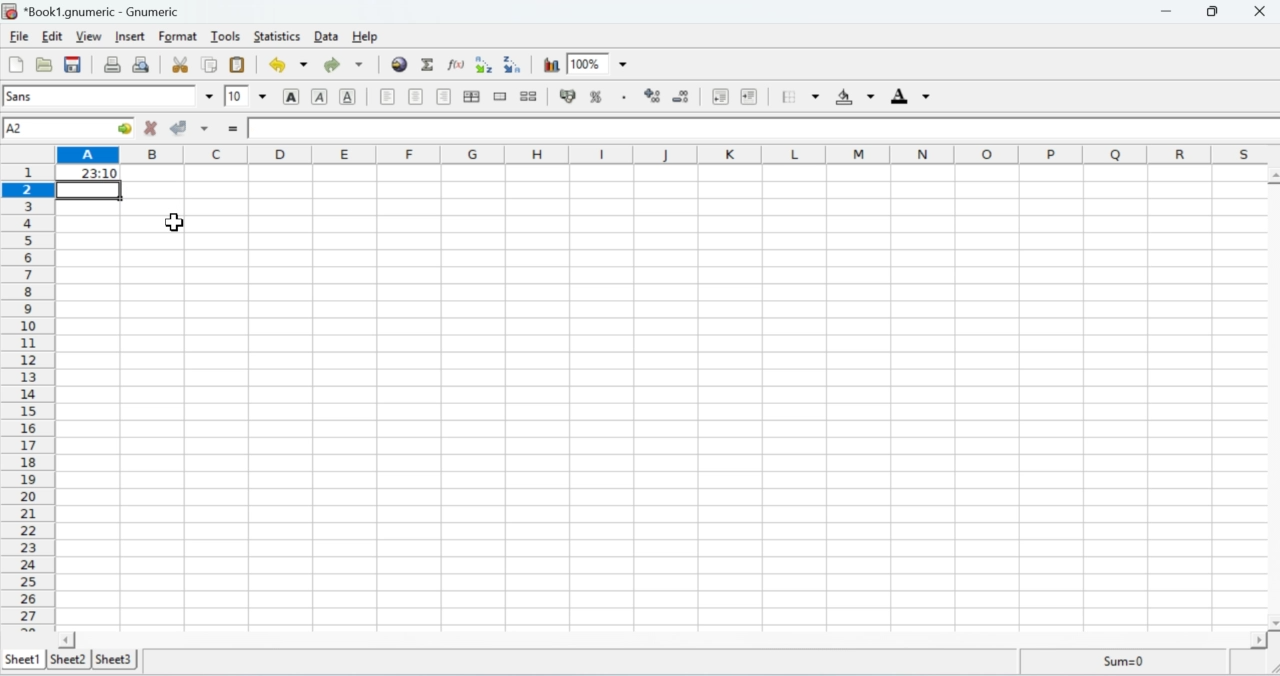 Image resolution: width=1280 pixels, height=676 pixels. Describe the element at coordinates (189, 130) in the screenshot. I see `Accept change` at that location.